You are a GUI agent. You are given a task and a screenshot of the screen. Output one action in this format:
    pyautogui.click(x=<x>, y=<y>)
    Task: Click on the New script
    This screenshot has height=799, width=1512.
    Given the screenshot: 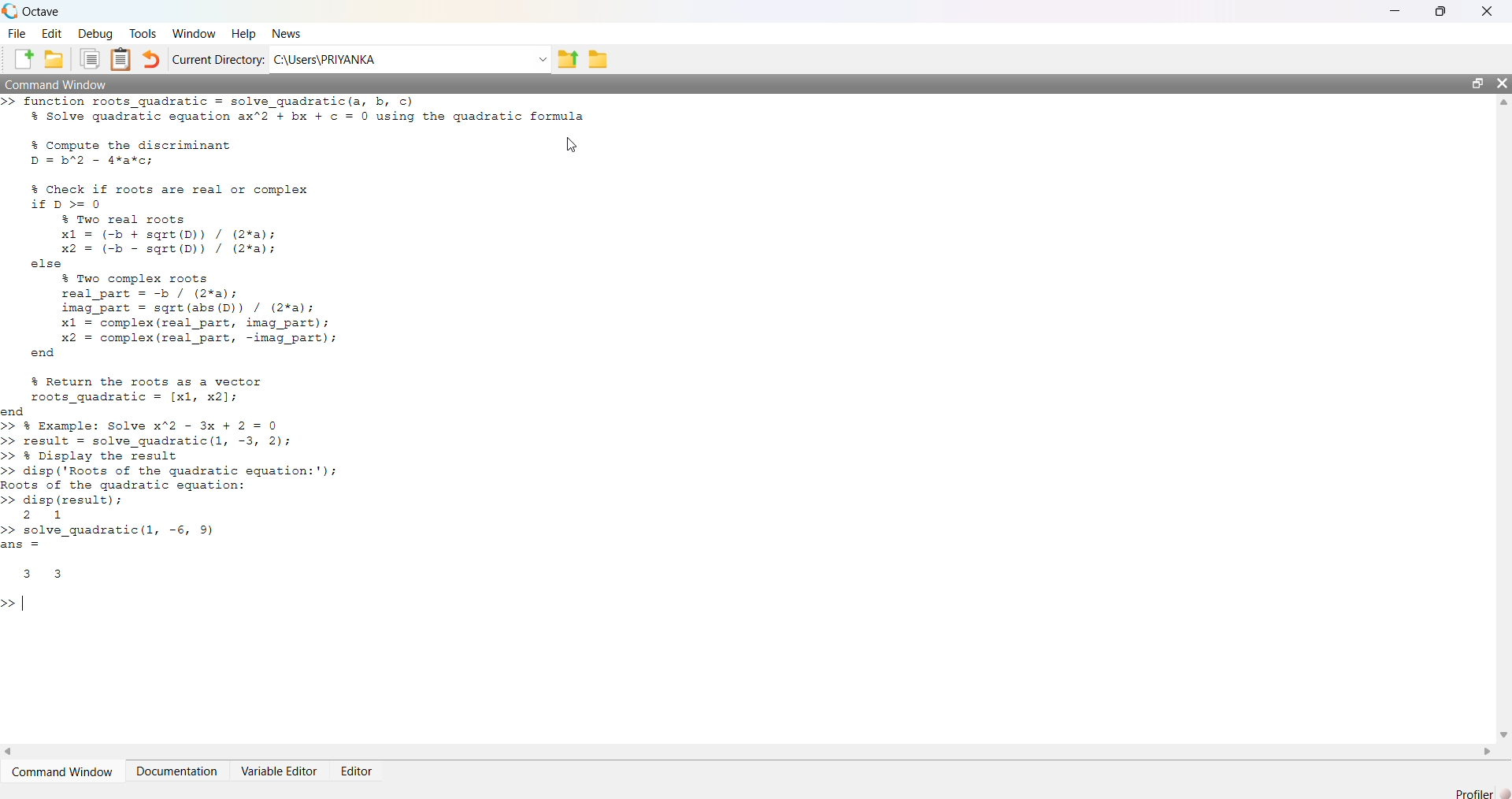 What is the action you would take?
    pyautogui.click(x=24, y=59)
    